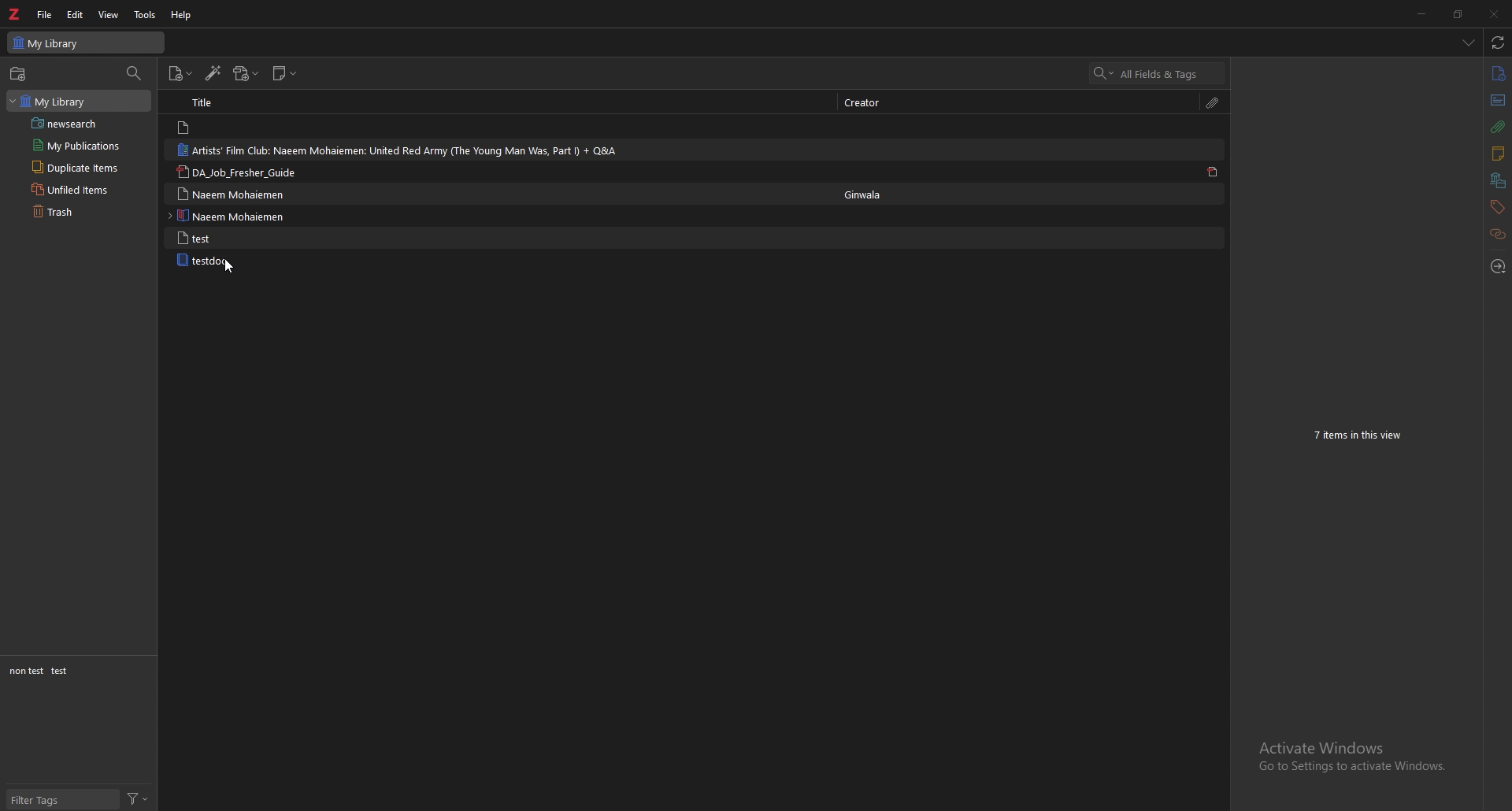 This screenshot has width=1512, height=811. What do you see at coordinates (228, 261) in the screenshot?
I see `testdoc` at bounding box center [228, 261].